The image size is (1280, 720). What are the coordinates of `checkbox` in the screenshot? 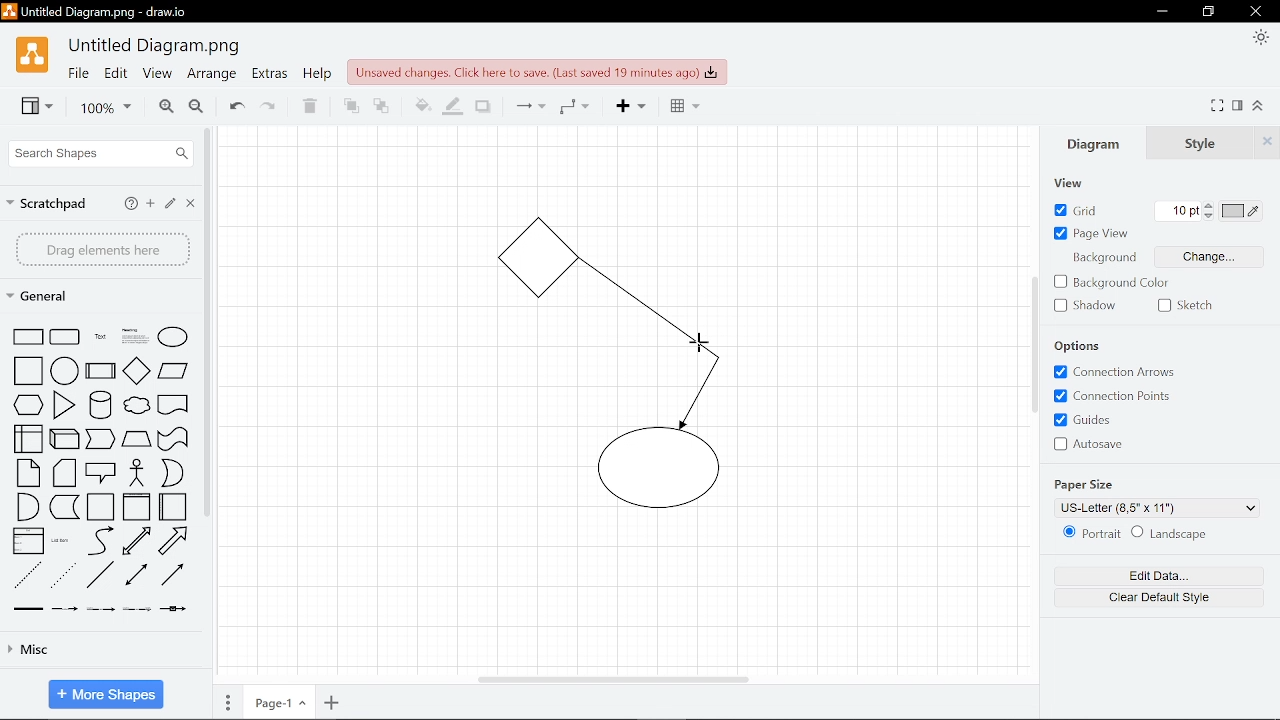 It's located at (1059, 421).